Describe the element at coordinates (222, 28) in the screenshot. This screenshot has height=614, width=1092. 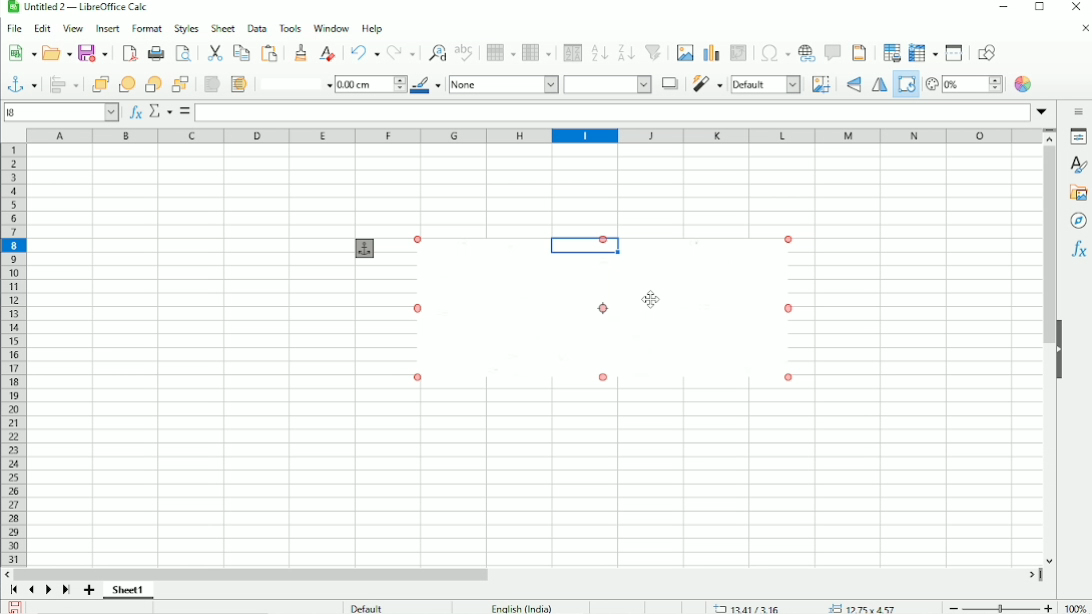
I see `Sheet` at that location.